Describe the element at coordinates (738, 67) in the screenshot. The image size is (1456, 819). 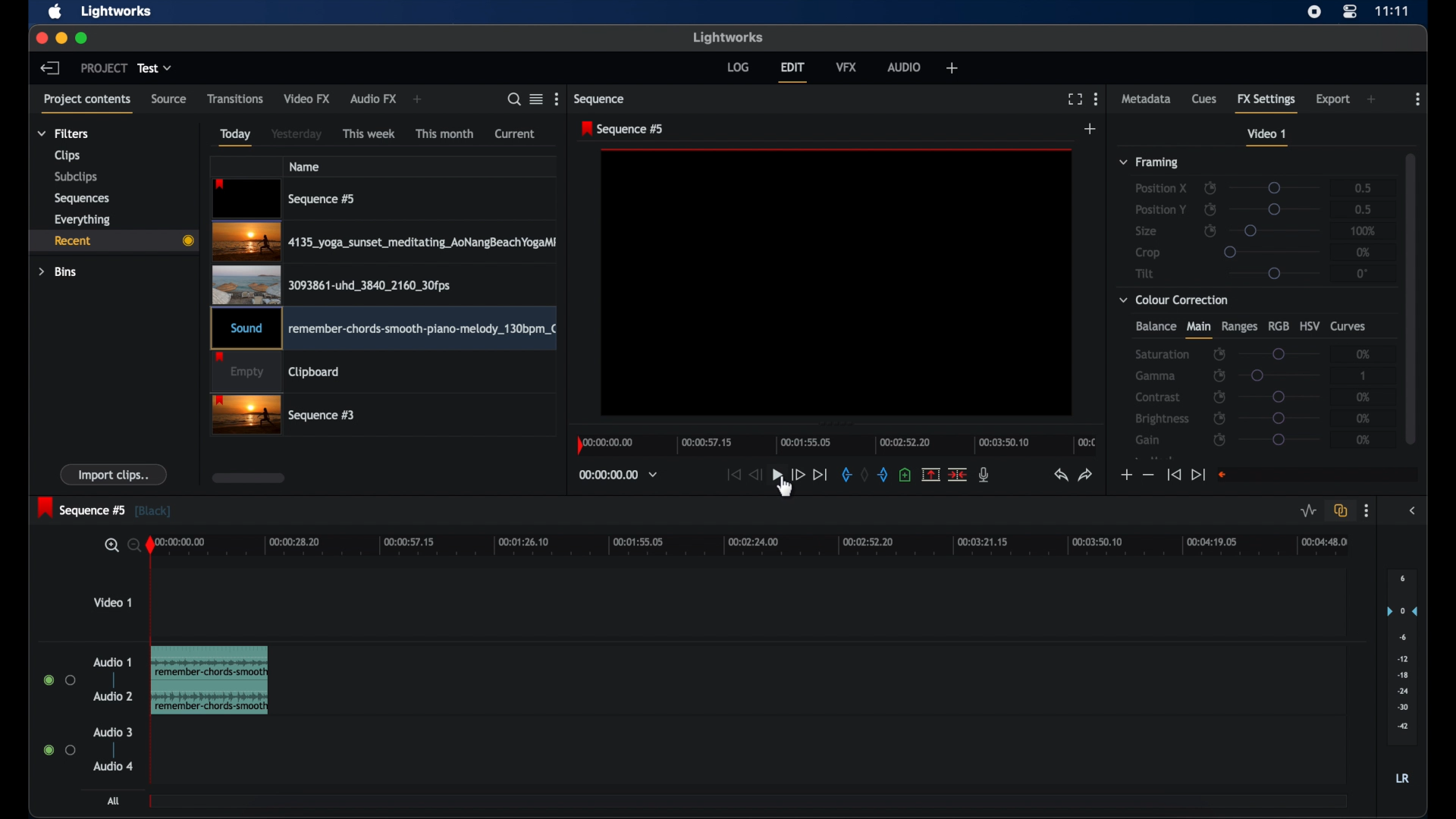
I see `log` at that location.